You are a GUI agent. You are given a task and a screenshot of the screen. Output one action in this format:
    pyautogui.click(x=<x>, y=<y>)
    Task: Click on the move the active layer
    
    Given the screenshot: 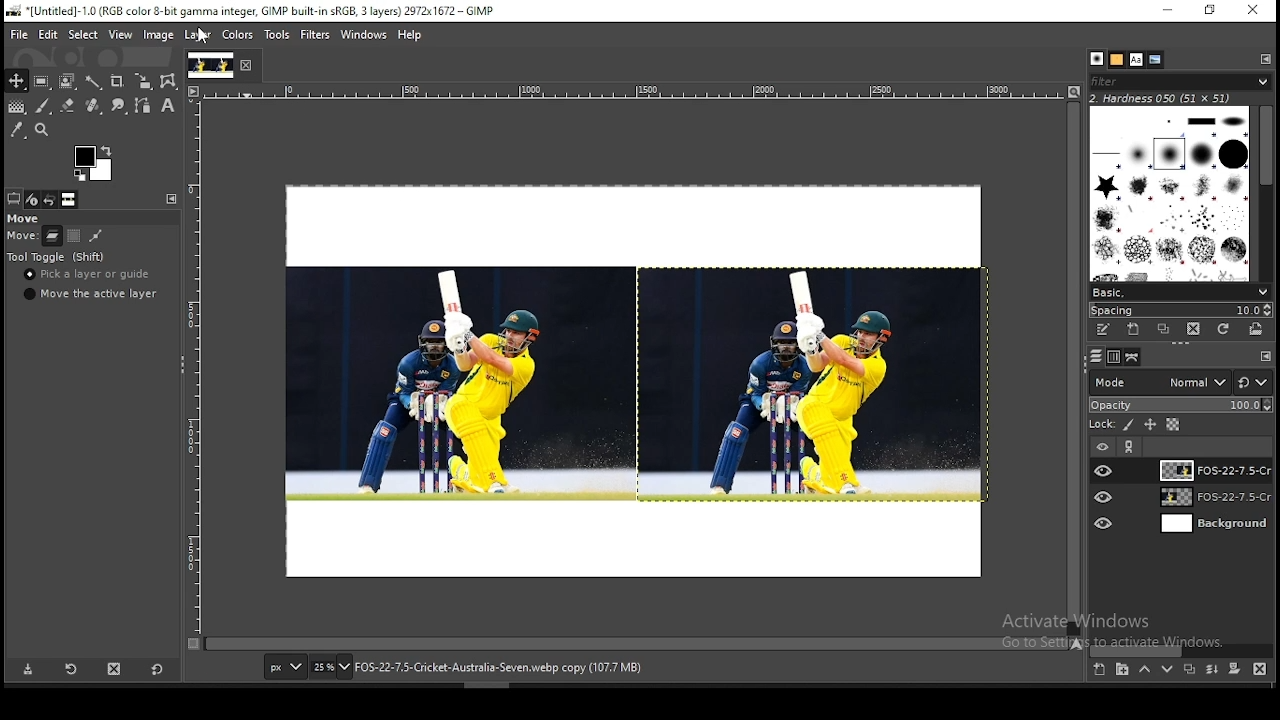 What is the action you would take?
    pyautogui.click(x=88, y=294)
    